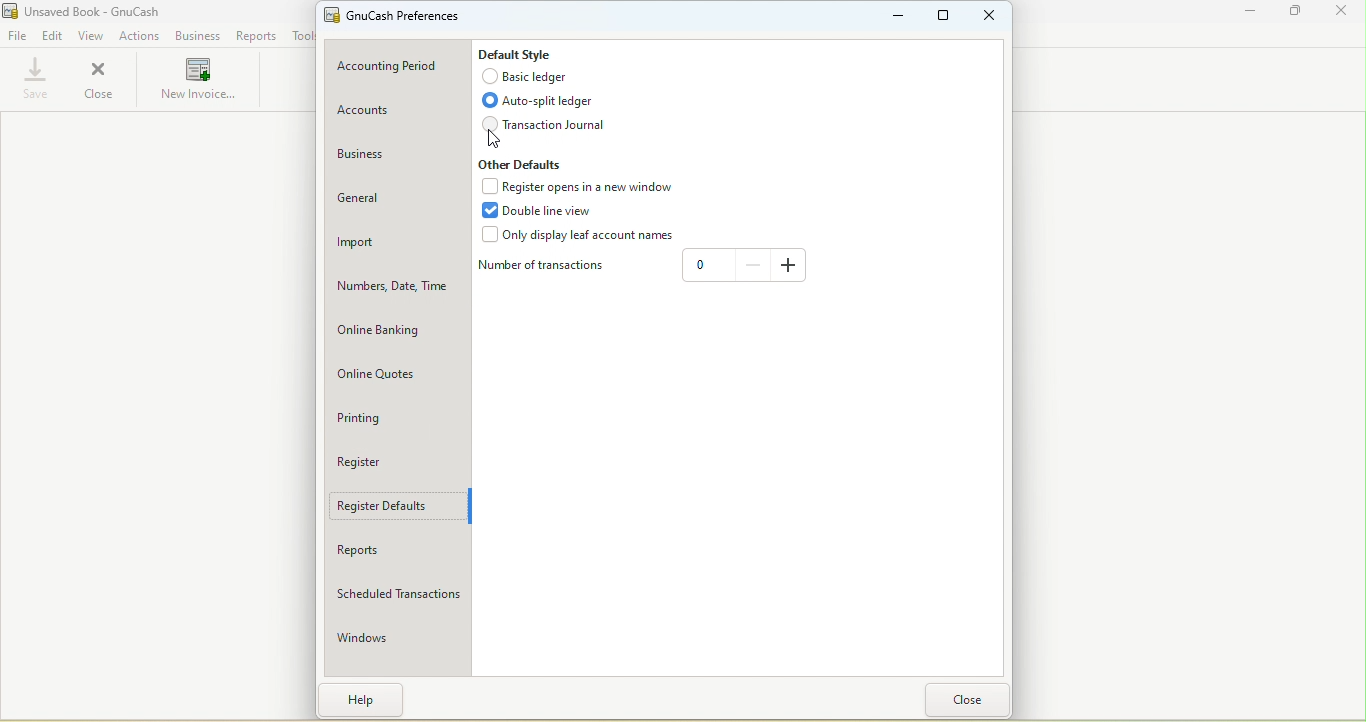 This screenshot has height=722, width=1366. Describe the element at coordinates (546, 102) in the screenshot. I see `Auto-split ledger` at that location.